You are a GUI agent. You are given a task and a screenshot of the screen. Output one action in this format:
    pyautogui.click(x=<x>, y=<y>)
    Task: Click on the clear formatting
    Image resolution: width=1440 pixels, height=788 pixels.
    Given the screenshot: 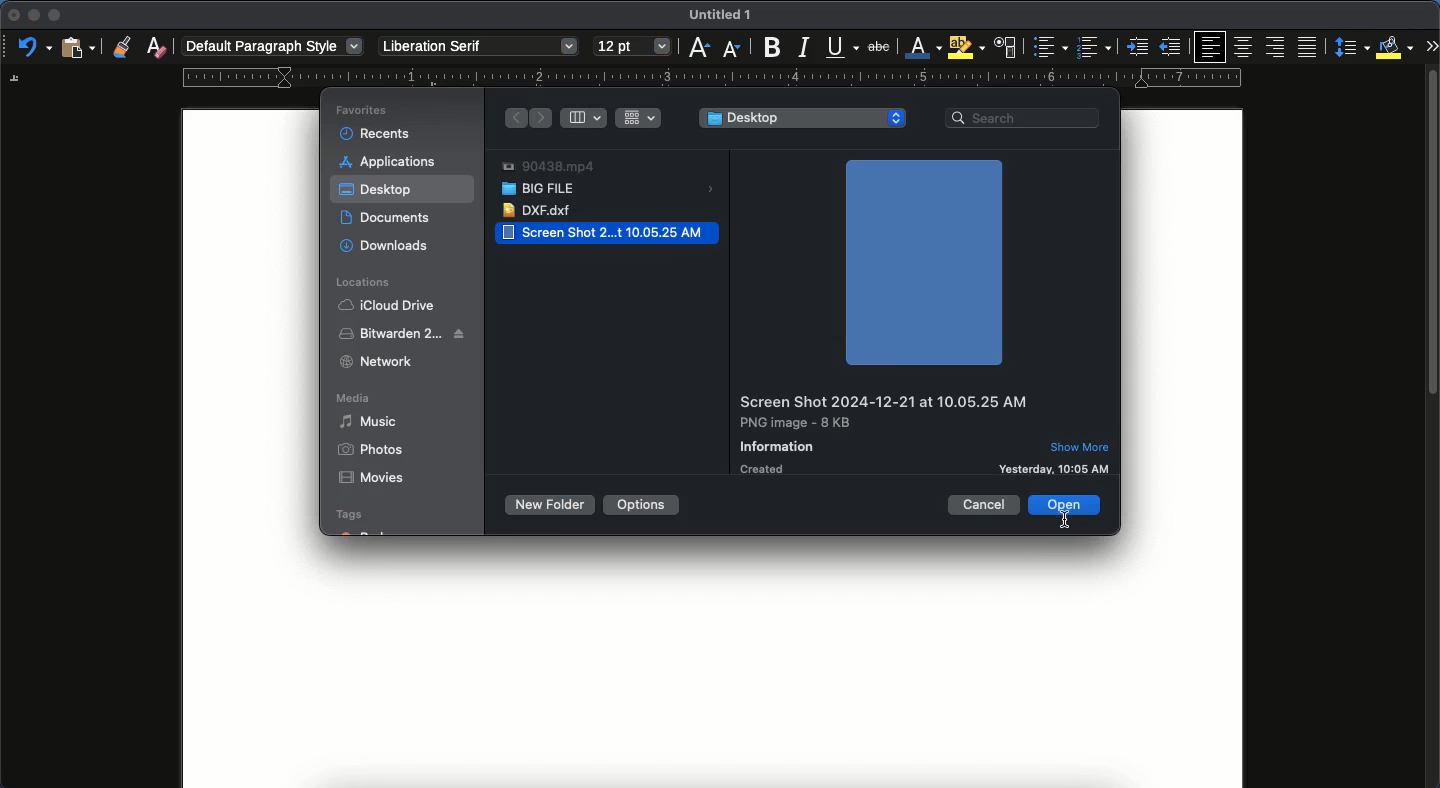 What is the action you would take?
    pyautogui.click(x=157, y=47)
    